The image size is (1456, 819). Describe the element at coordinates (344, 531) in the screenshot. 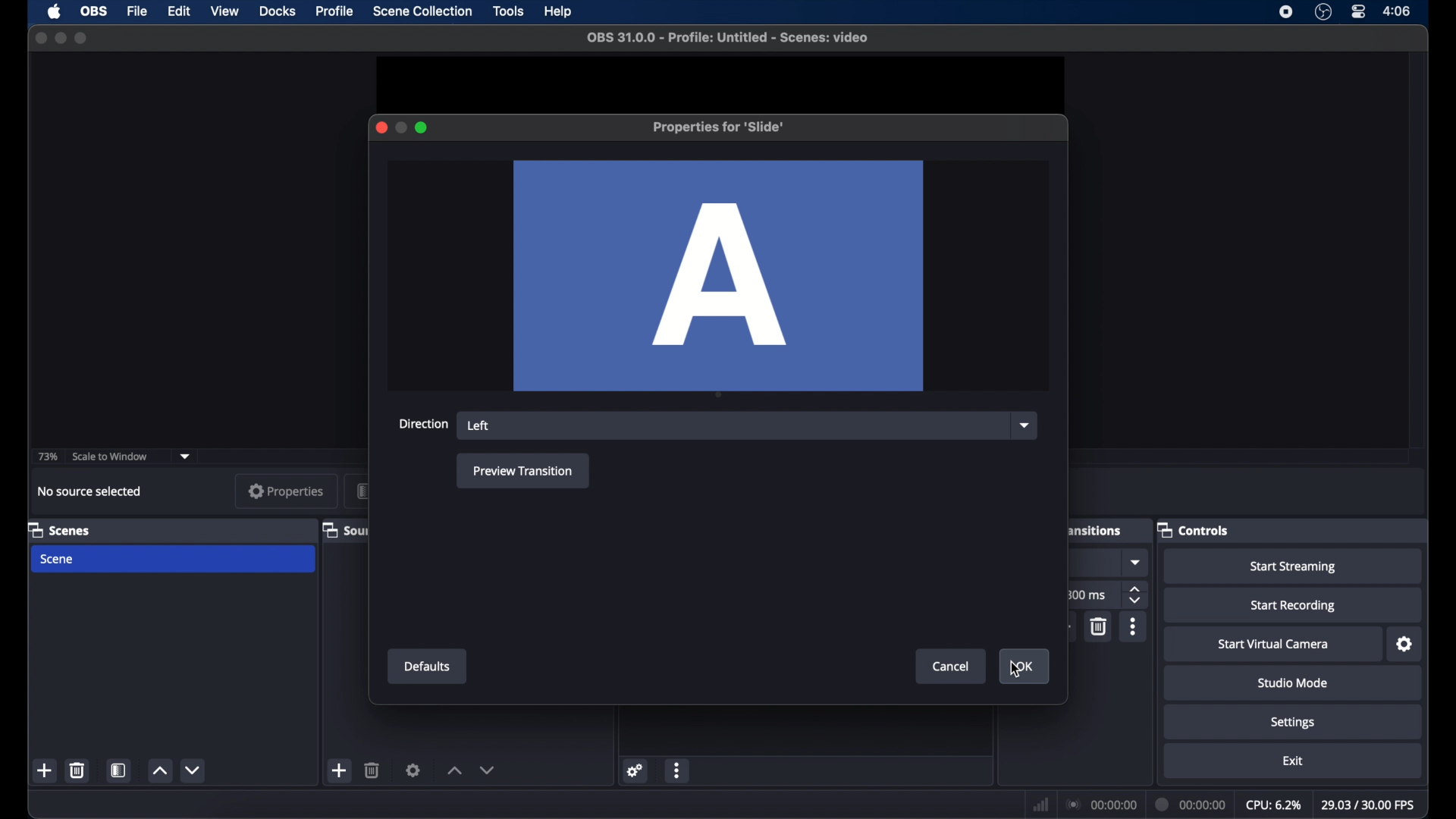

I see `sources` at that location.